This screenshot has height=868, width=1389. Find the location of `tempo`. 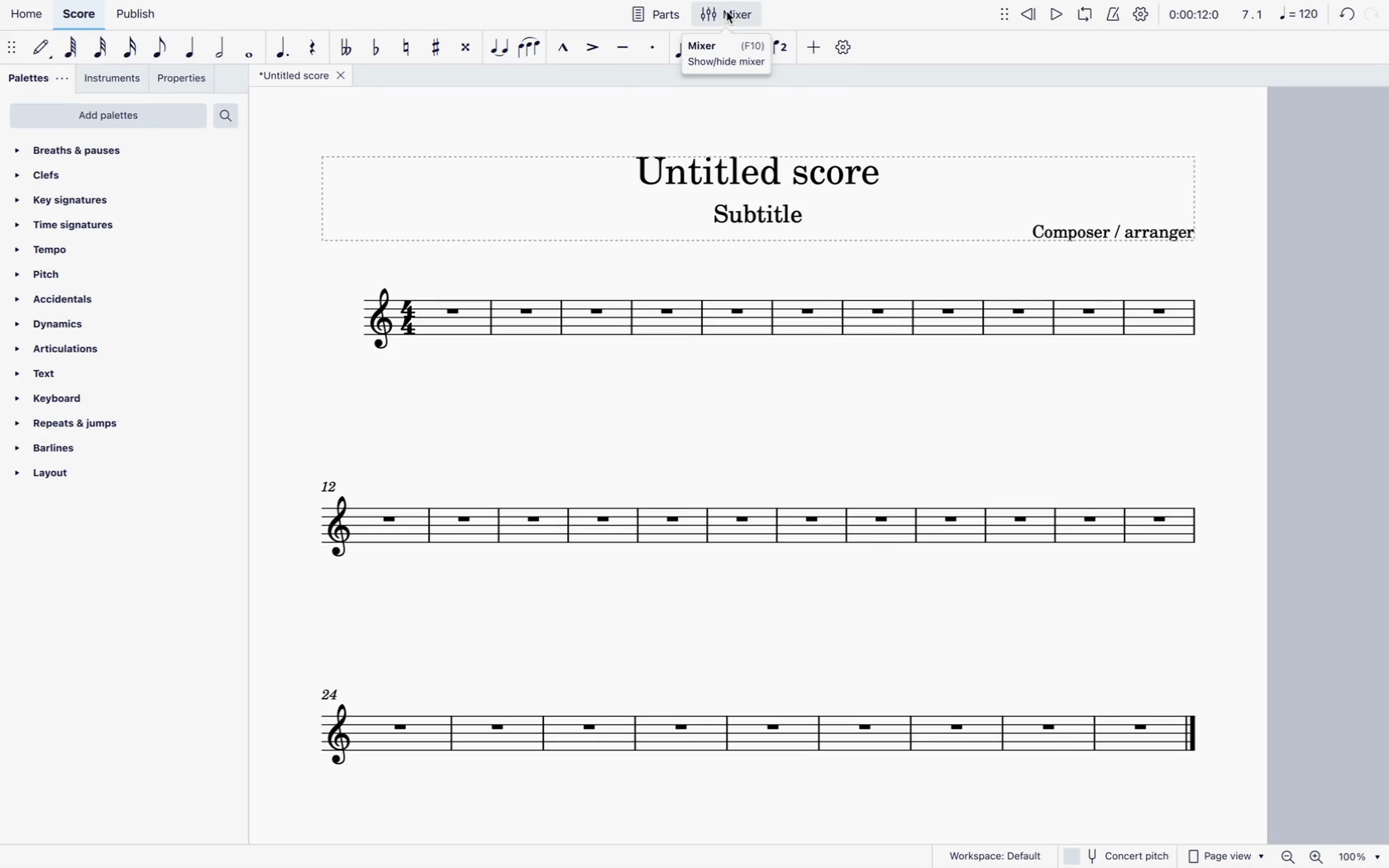

tempo is located at coordinates (99, 250).